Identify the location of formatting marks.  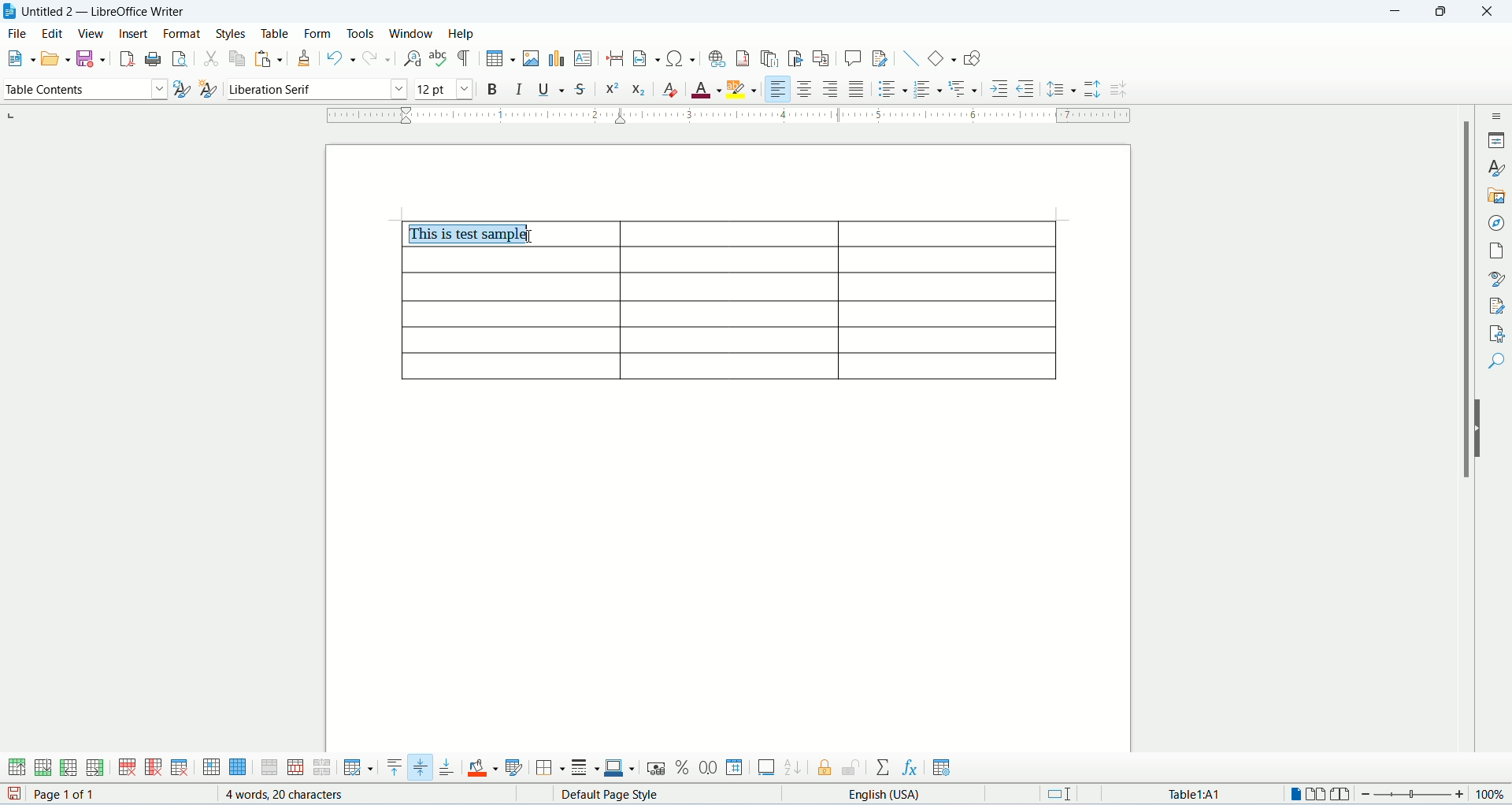
(465, 57).